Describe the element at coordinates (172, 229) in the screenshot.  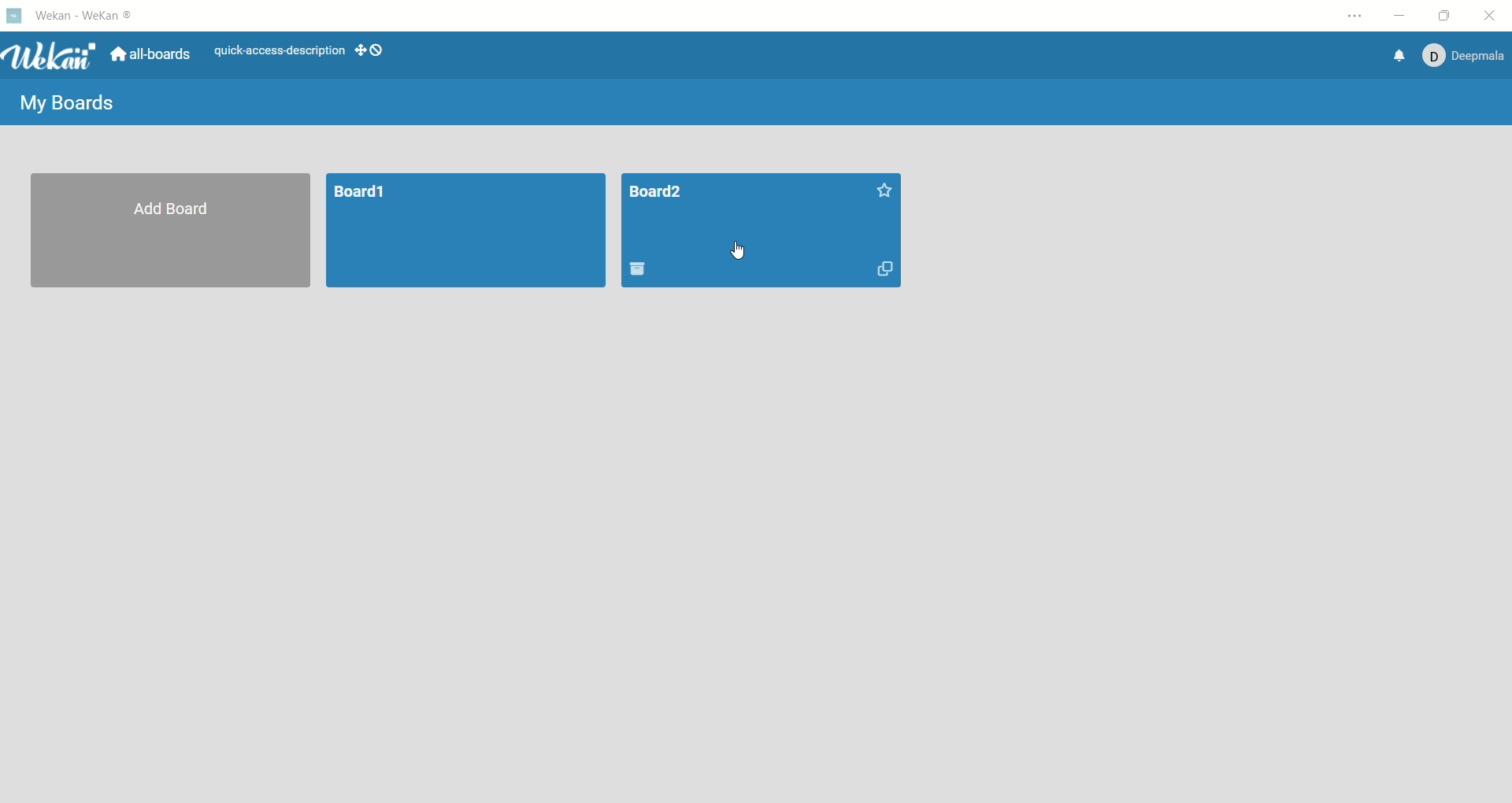
I see `add board` at that location.